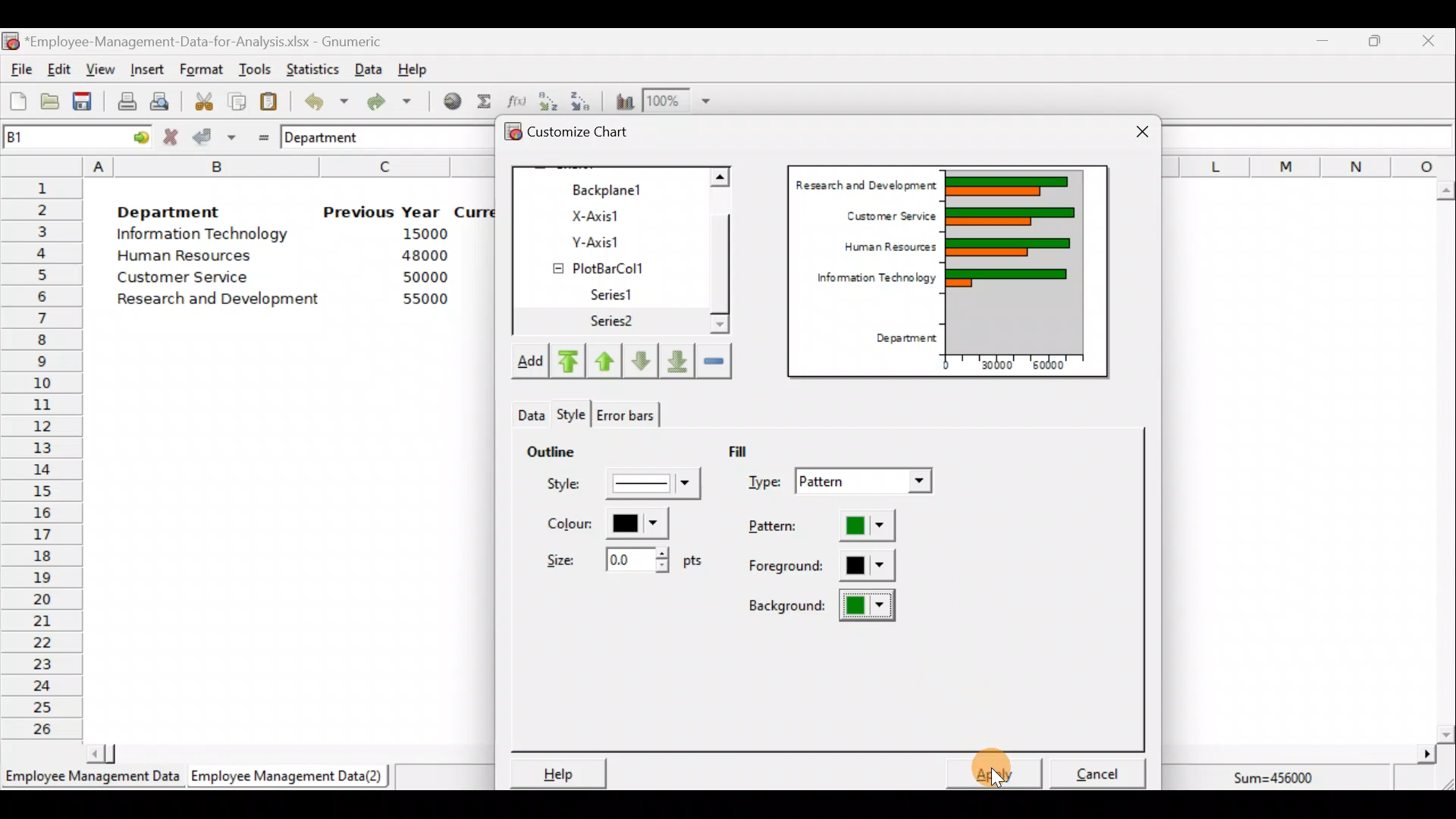 Image resolution: width=1456 pixels, height=819 pixels. What do you see at coordinates (556, 773) in the screenshot?
I see `Help` at bounding box center [556, 773].